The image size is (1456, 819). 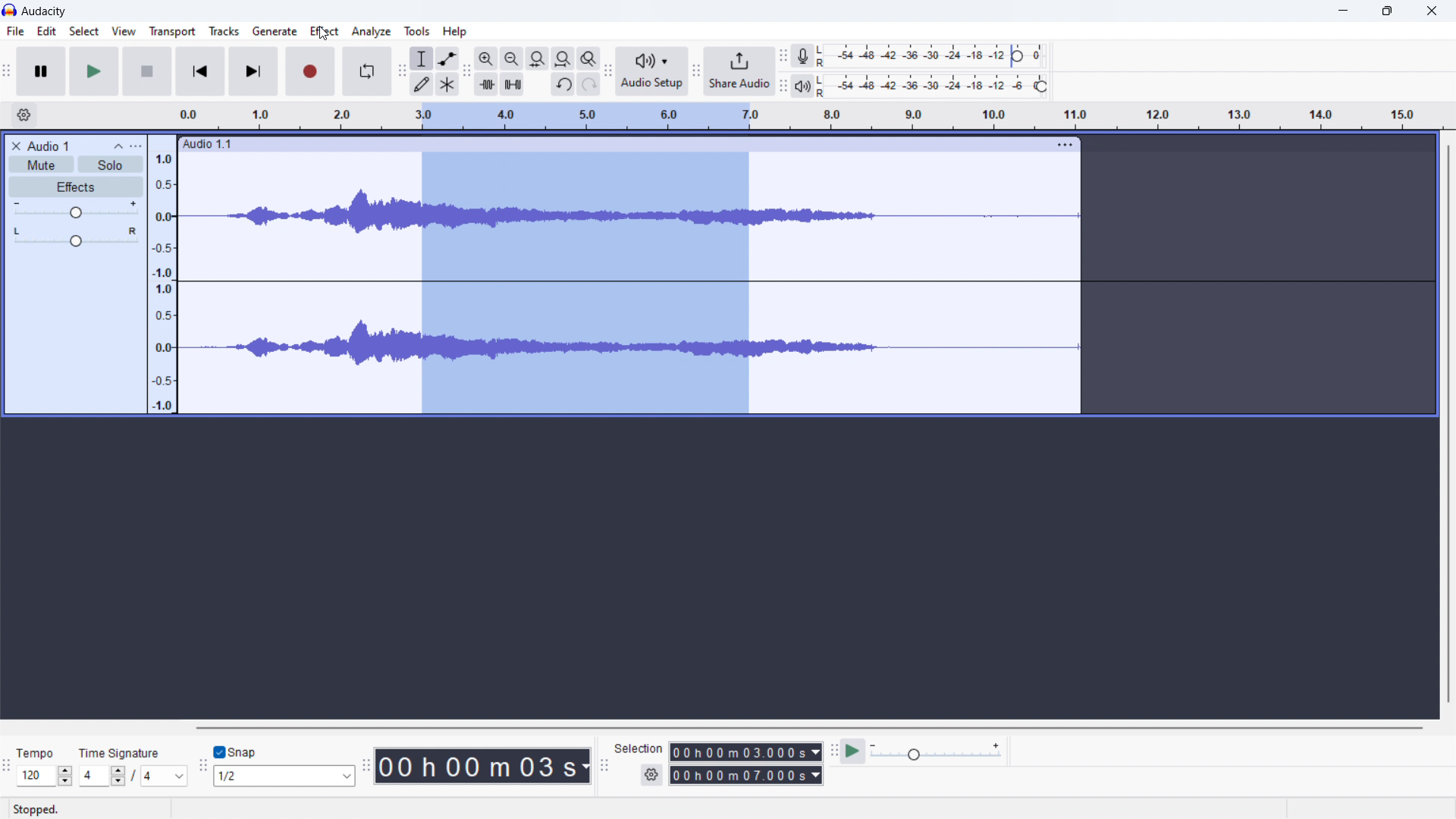 I want to click on share audio, so click(x=740, y=72).